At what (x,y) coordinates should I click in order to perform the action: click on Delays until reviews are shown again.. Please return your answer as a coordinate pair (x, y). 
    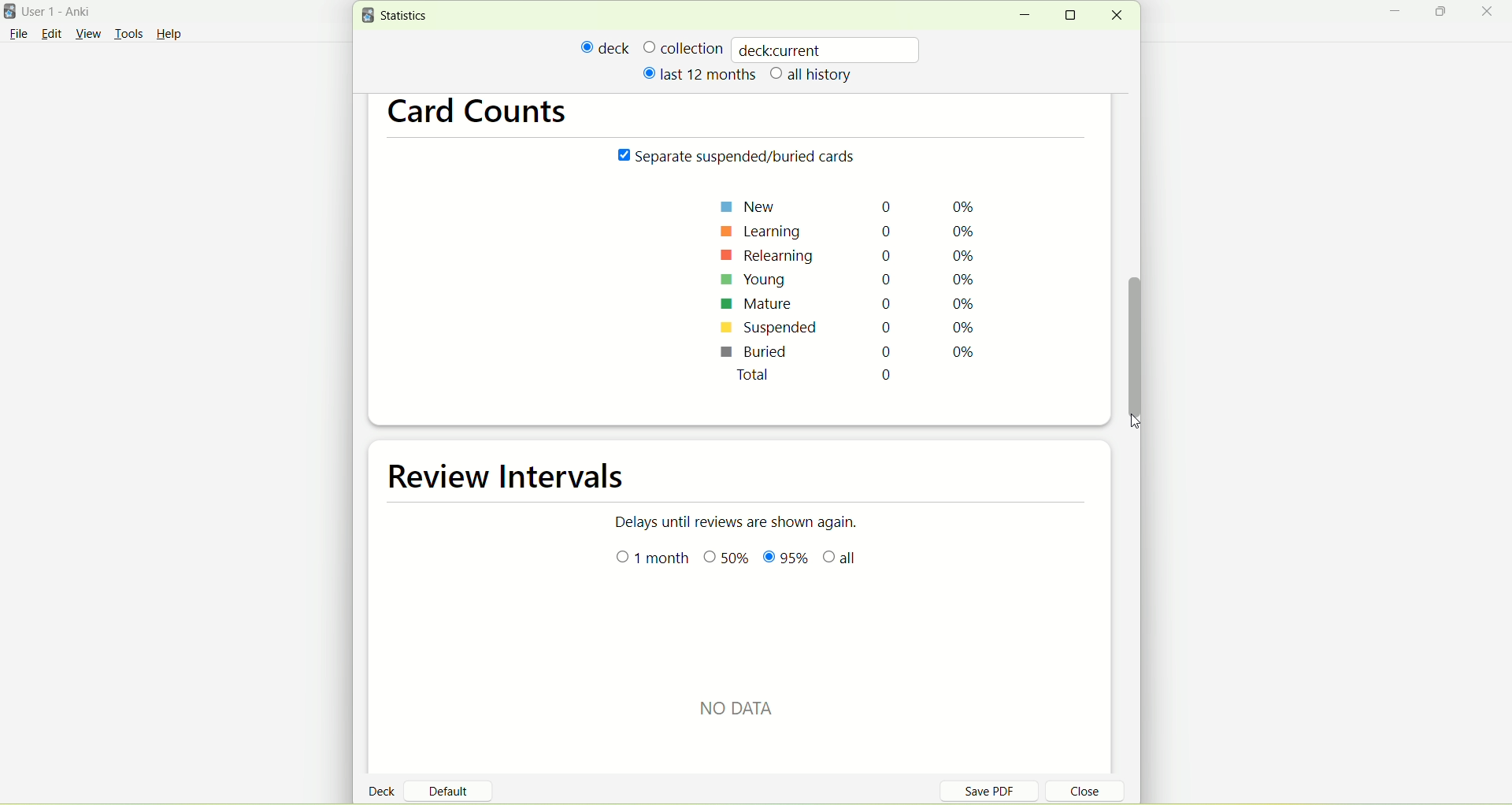
    Looking at the image, I should click on (746, 521).